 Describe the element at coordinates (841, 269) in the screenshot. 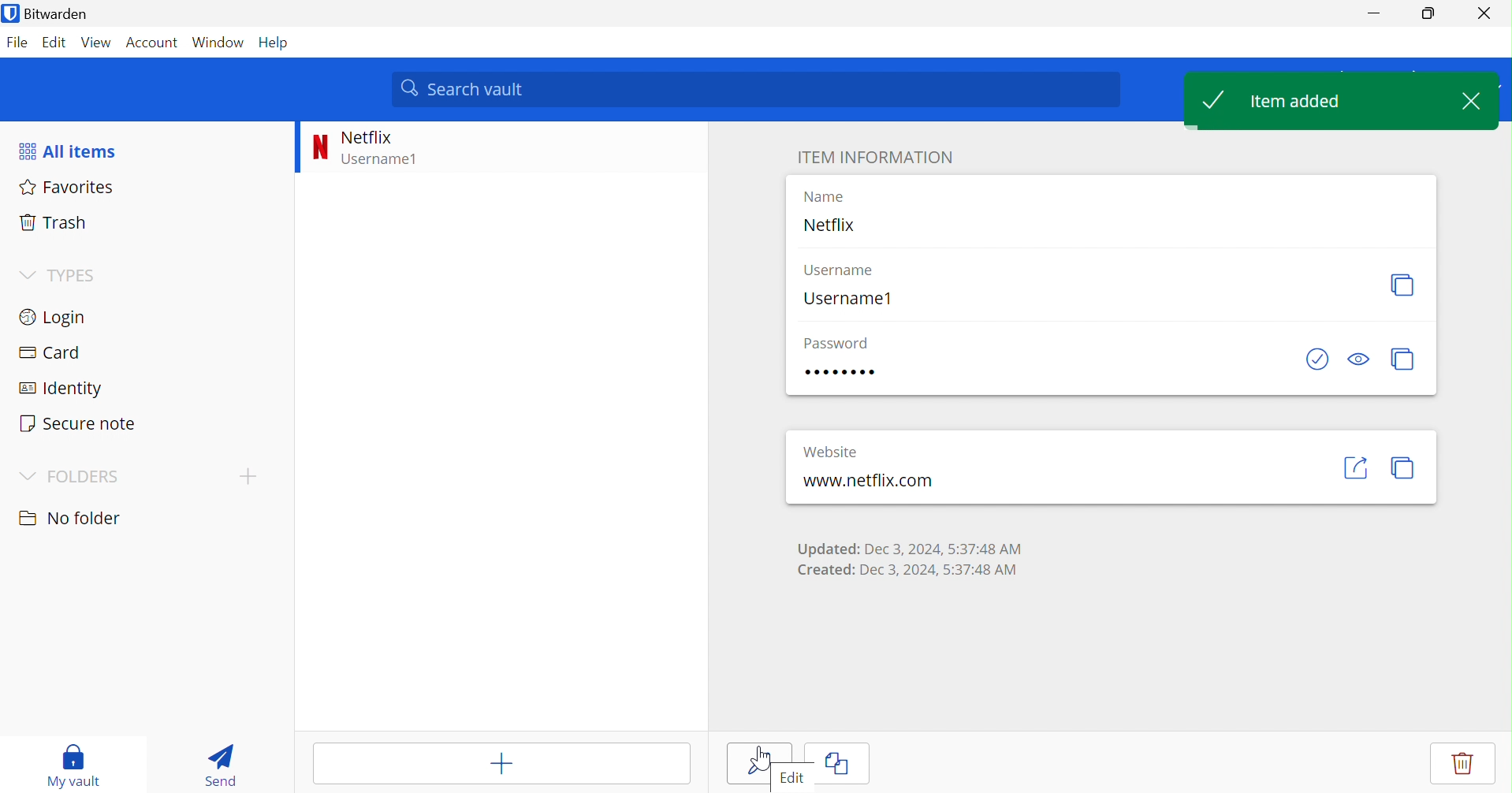

I see `Username` at that location.